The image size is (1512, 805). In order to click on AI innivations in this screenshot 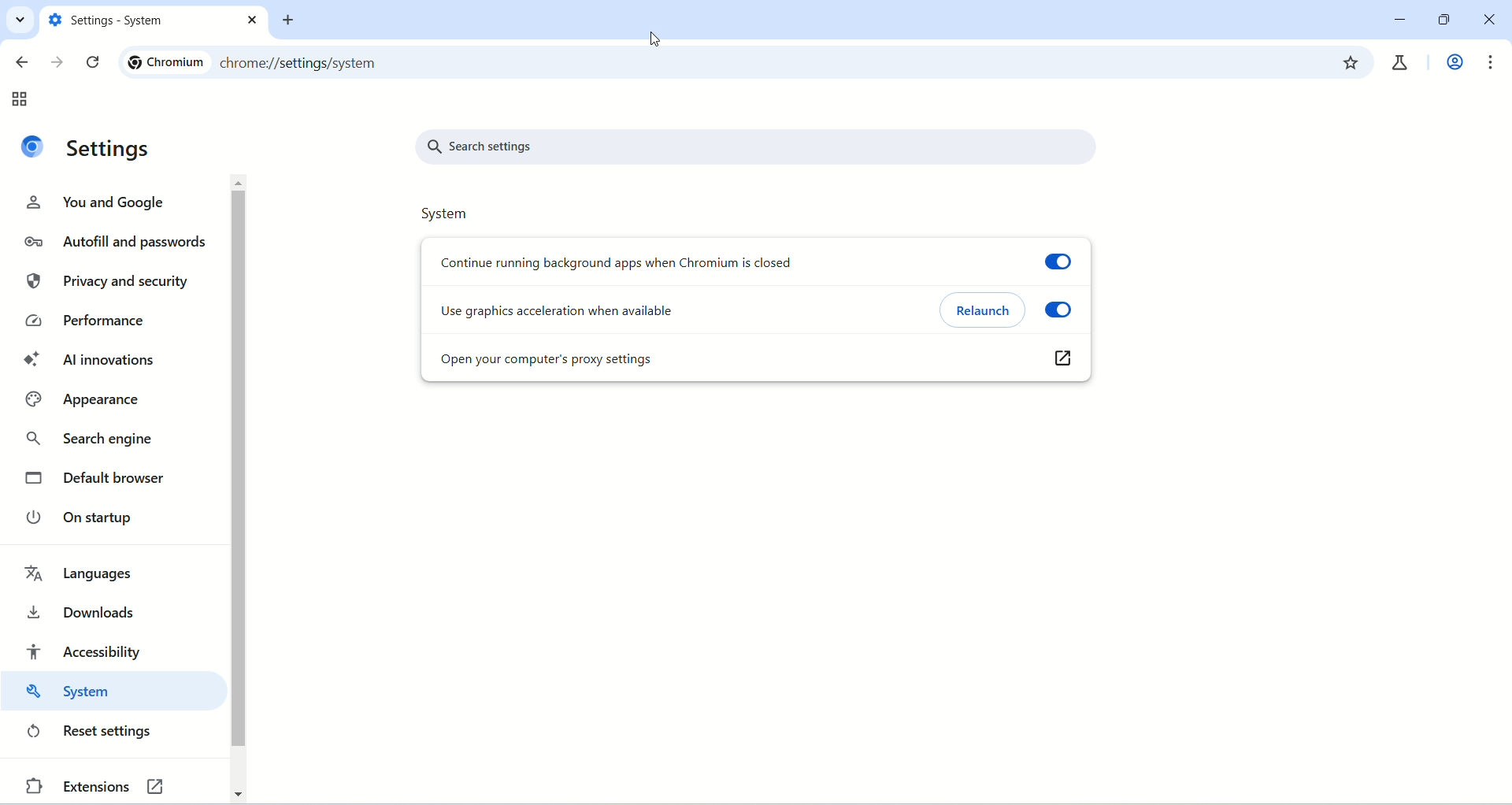, I will do `click(89, 362)`.